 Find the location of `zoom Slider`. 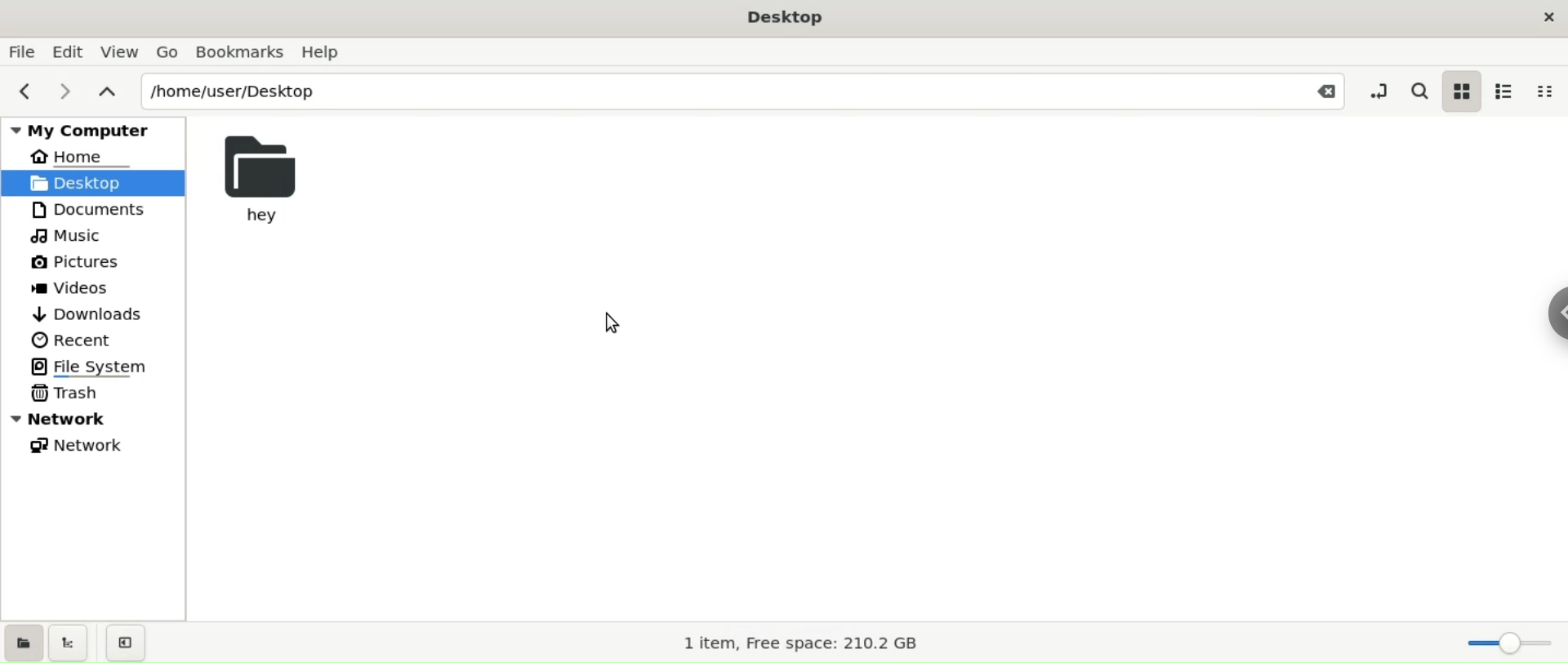

zoom Slider is located at coordinates (1510, 642).